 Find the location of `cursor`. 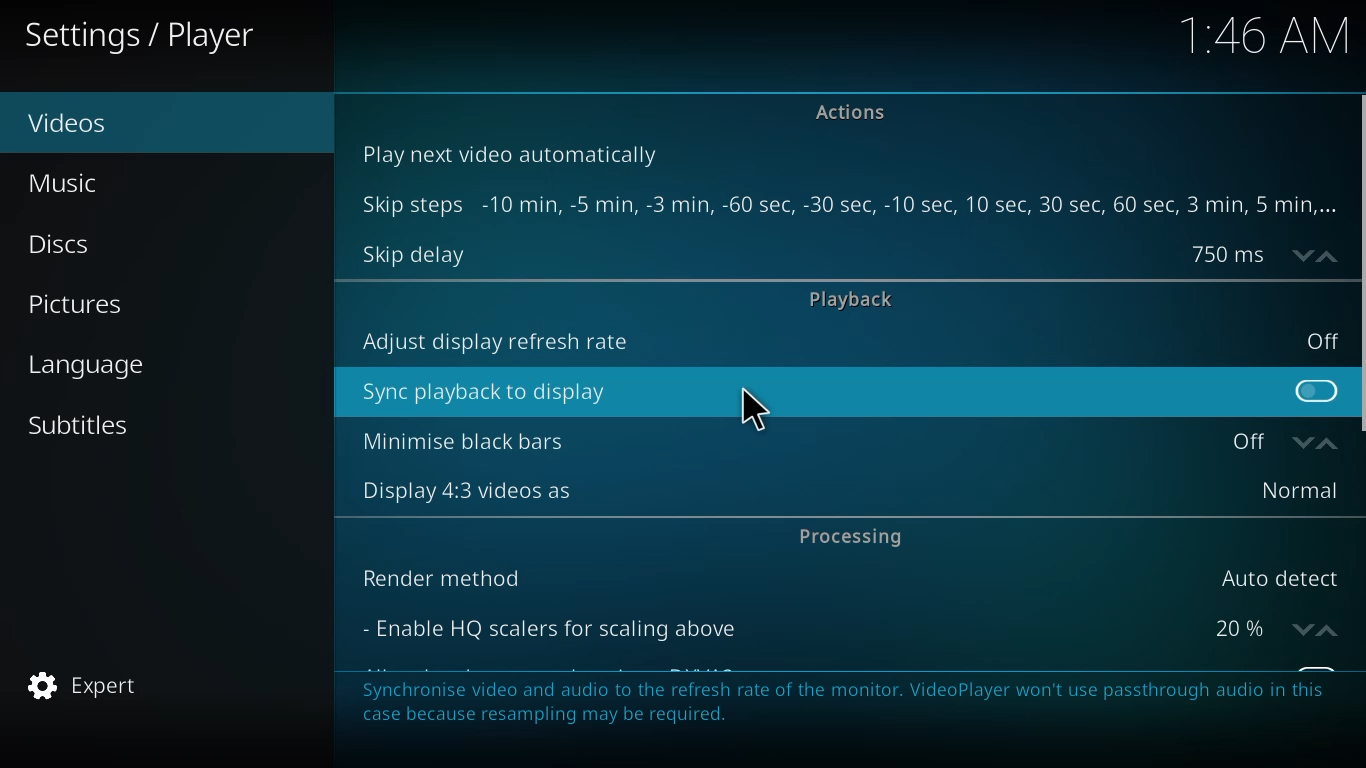

cursor is located at coordinates (756, 405).